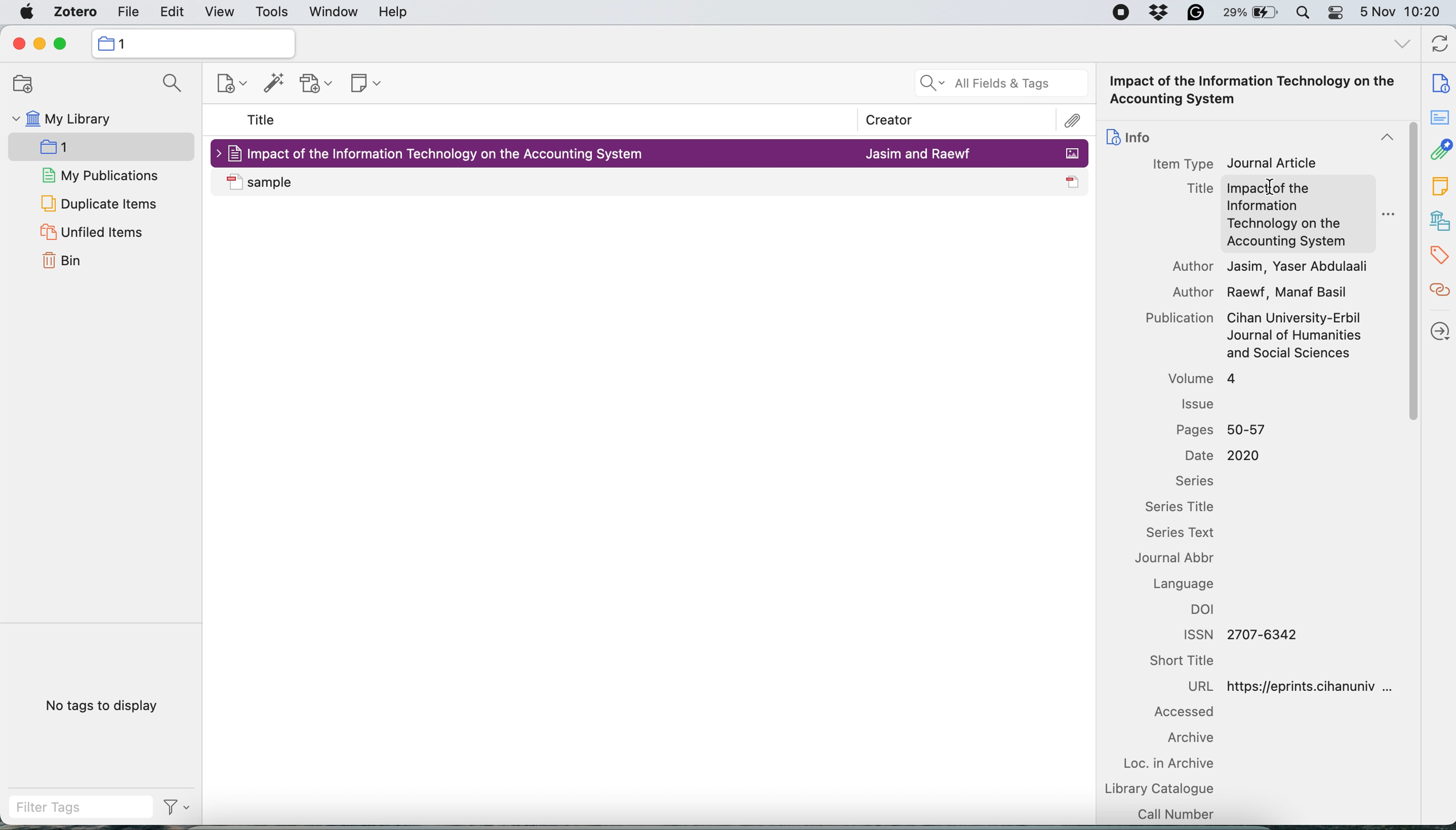 Image resolution: width=1456 pixels, height=830 pixels. I want to click on filter tags, so click(83, 808).